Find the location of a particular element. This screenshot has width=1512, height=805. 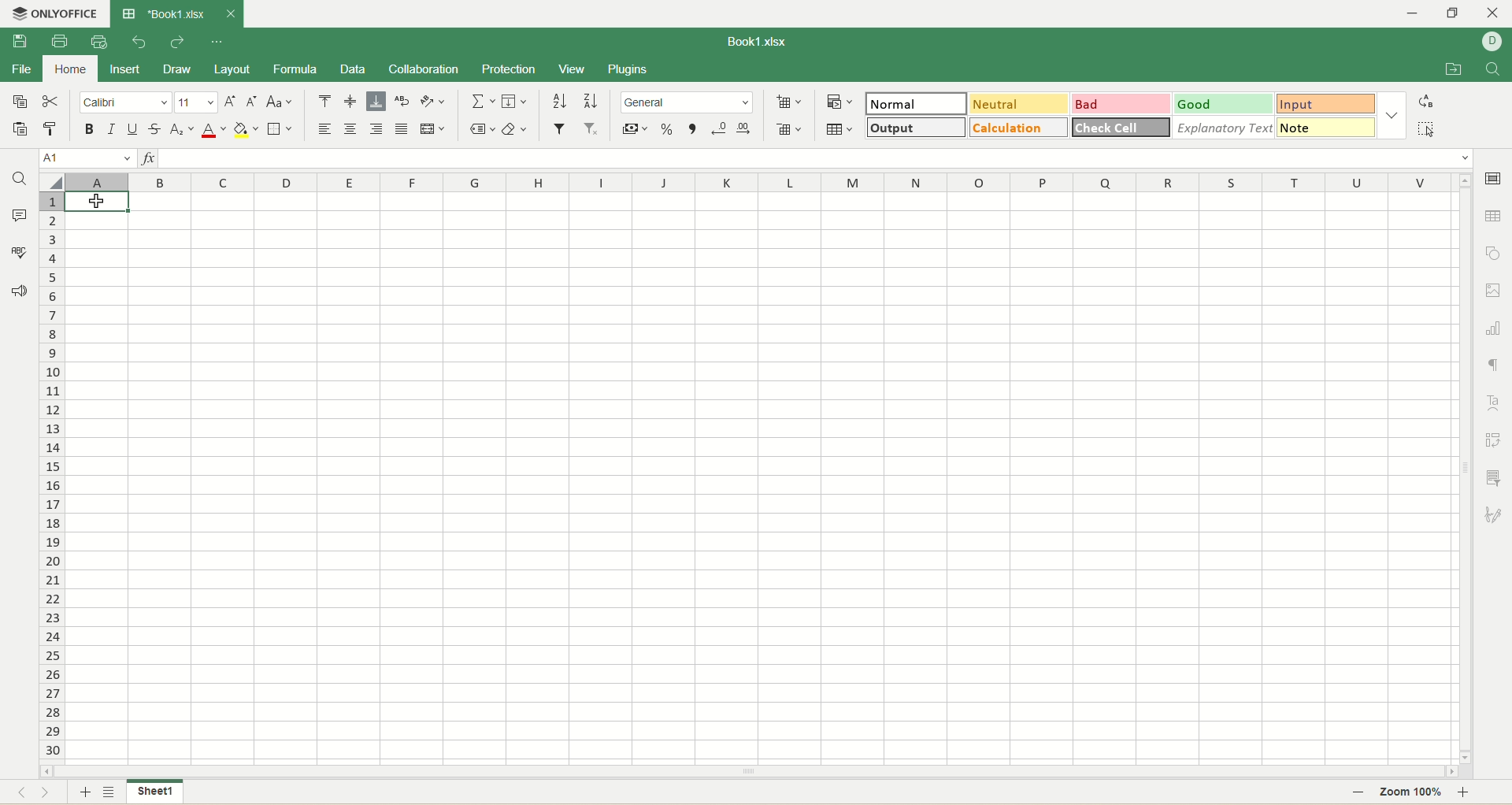

plugins is located at coordinates (627, 69).